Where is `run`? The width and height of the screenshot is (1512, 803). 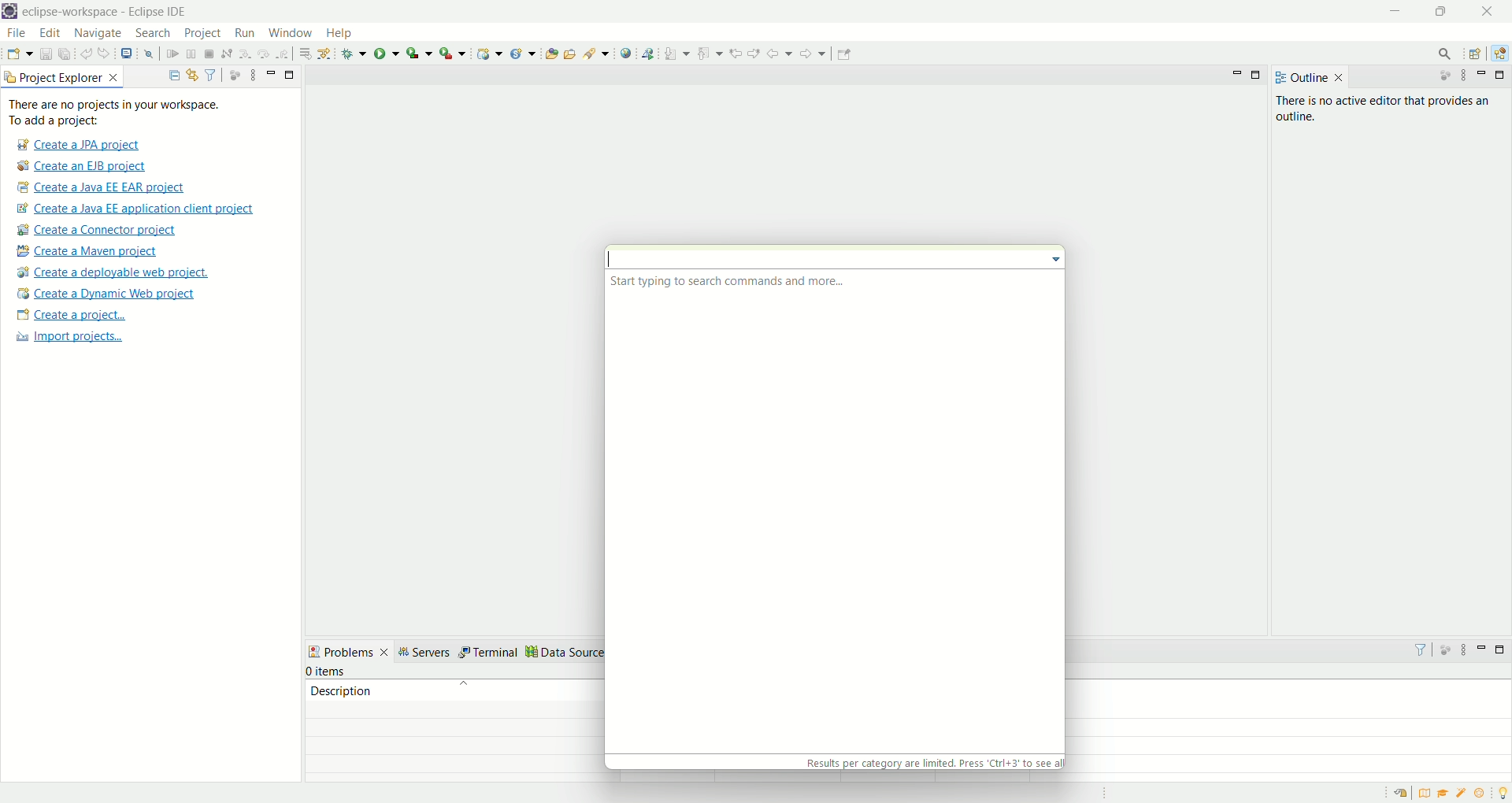 run is located at coordinates (387, 55).